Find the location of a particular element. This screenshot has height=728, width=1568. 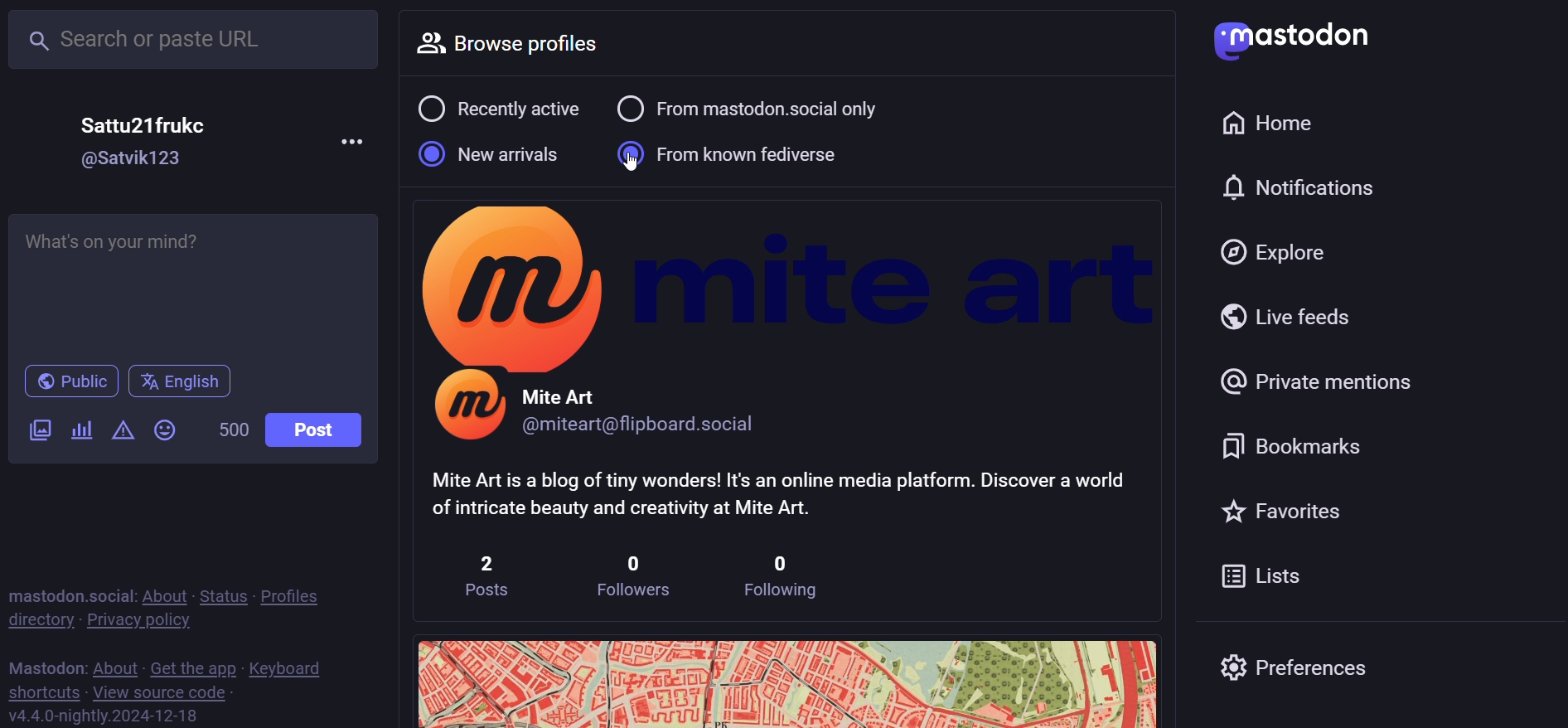

notification is located at coordinates (1300, 187).